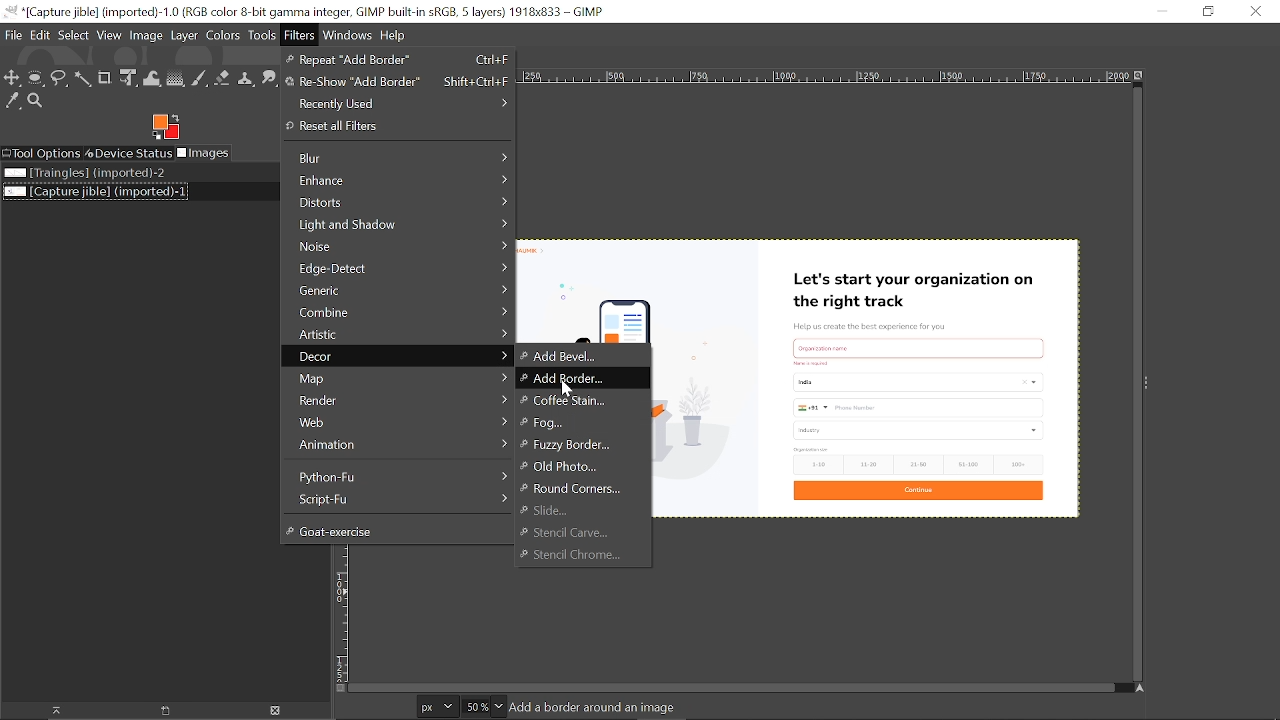  I want to click on Raise the image display, so click(51, 711).